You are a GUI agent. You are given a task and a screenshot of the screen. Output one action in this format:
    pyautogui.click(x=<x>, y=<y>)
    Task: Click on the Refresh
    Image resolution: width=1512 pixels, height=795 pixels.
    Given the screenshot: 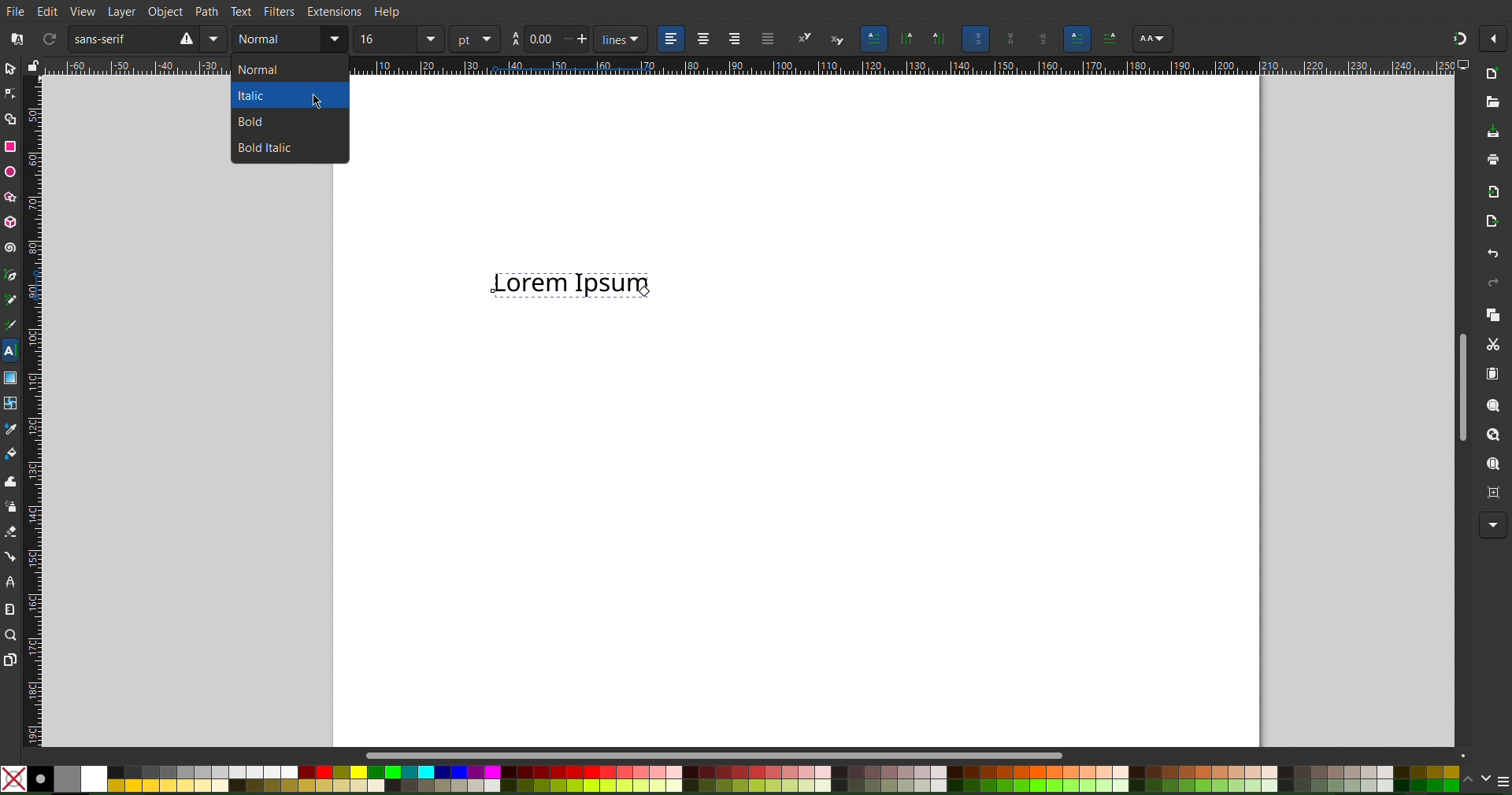 What is the action you would take?
    pyautogui.click(x=50, y=39)
    